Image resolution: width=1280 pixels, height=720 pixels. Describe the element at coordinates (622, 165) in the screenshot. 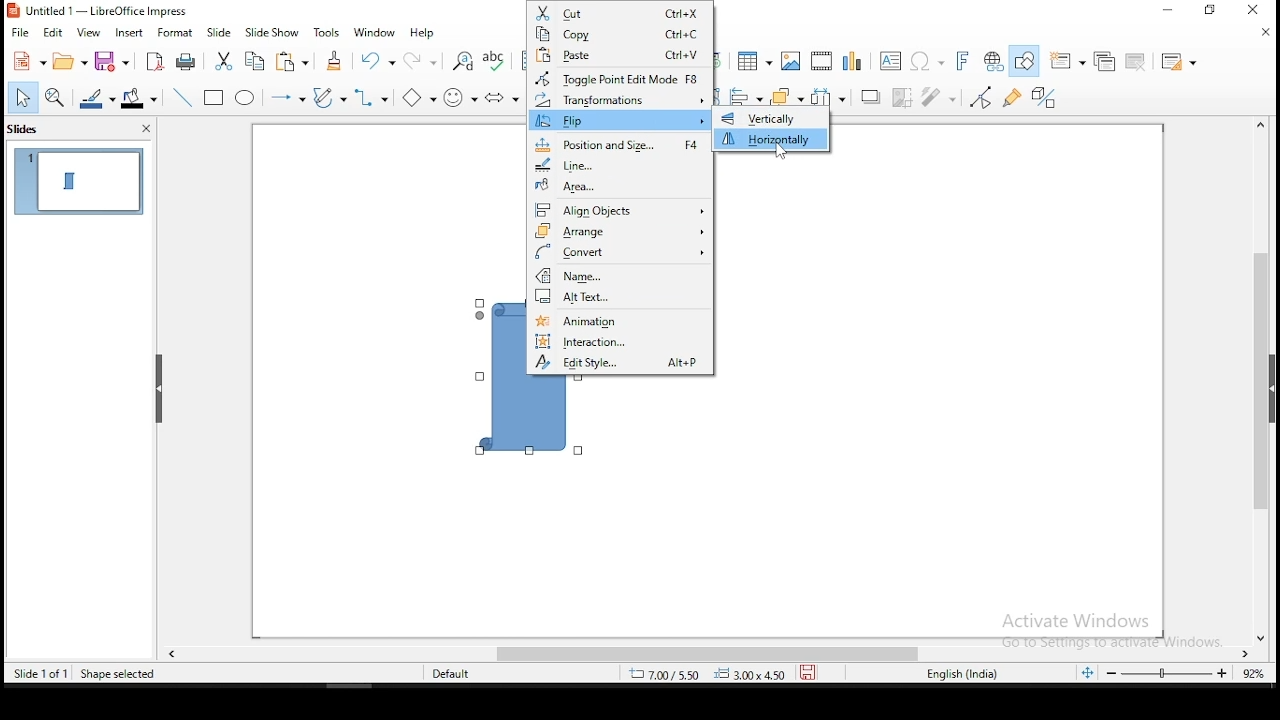

I see `line` at that location.